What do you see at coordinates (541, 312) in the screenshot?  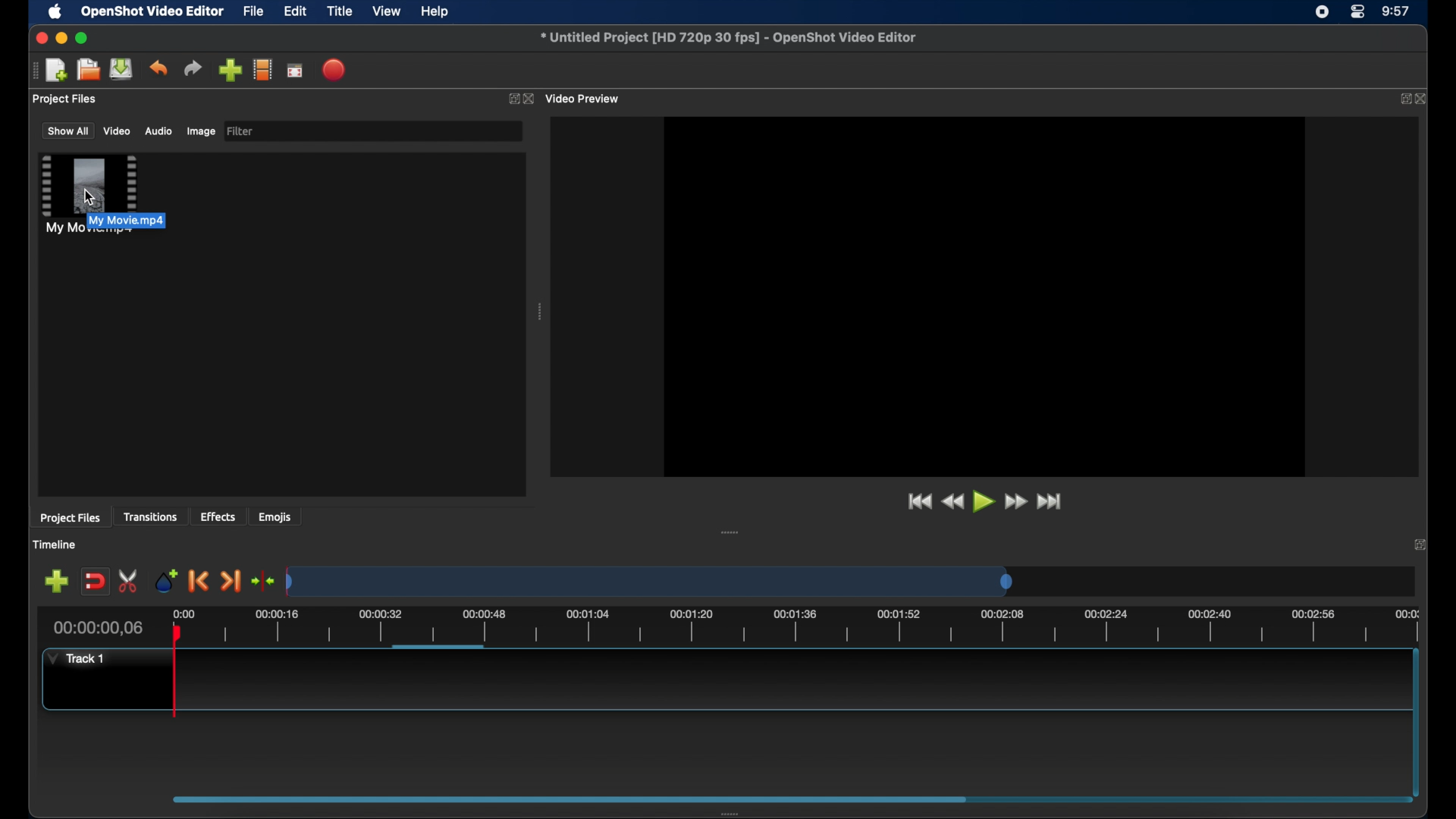 I see `drag handle` at bounding box center [541, 312].